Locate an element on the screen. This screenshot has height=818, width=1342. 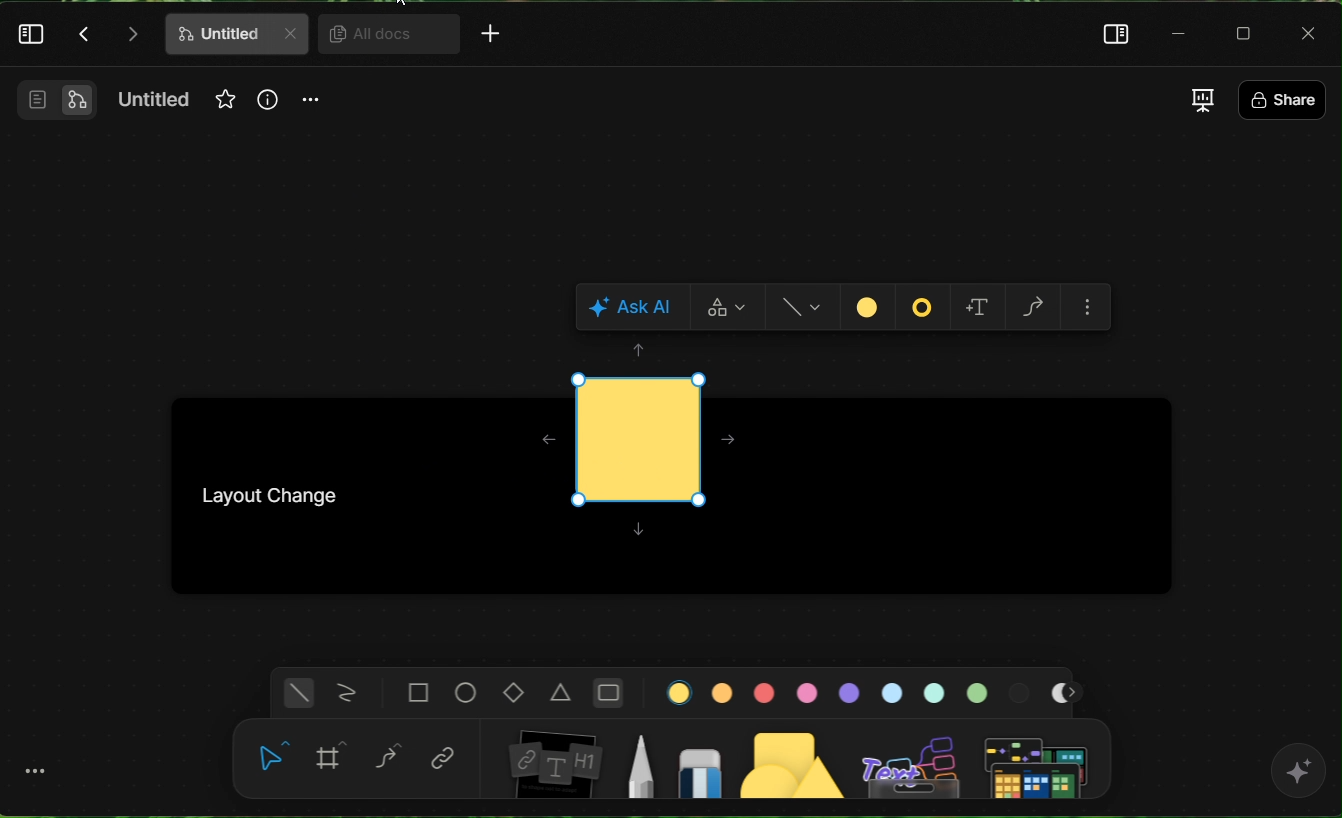
After last action is located at coordinates (641, 448).